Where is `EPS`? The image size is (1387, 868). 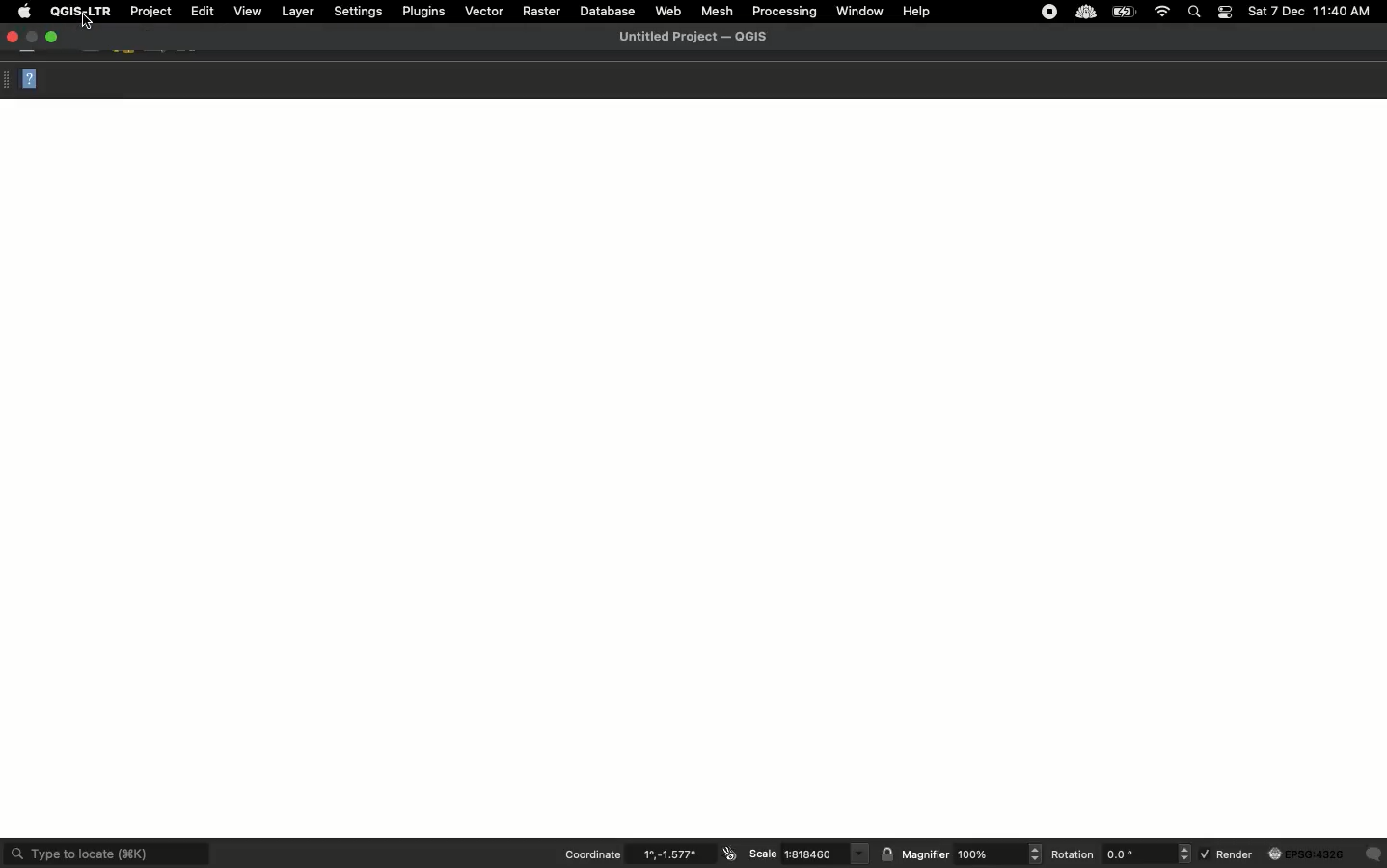 EPS is located at coordinates (1309, 854).